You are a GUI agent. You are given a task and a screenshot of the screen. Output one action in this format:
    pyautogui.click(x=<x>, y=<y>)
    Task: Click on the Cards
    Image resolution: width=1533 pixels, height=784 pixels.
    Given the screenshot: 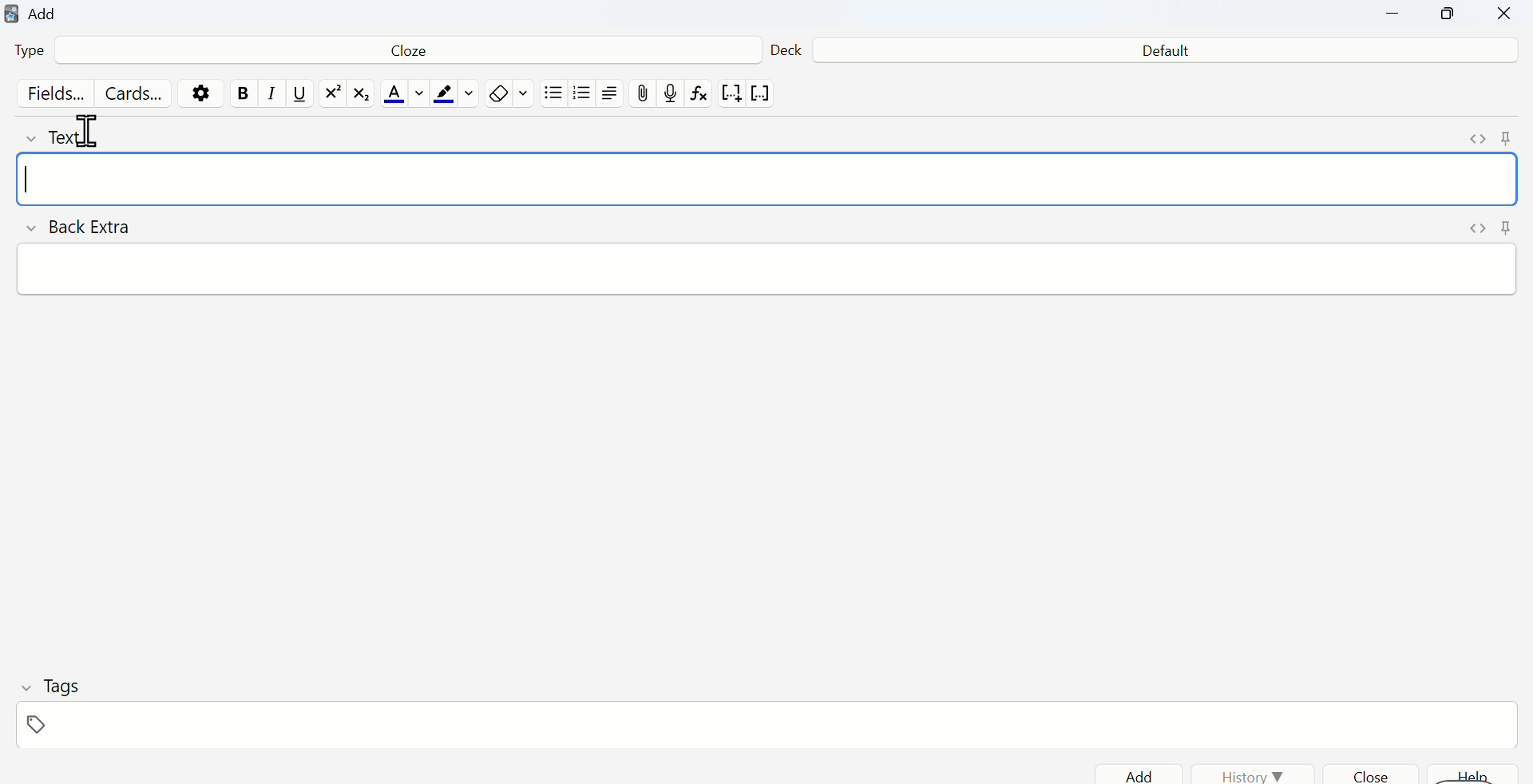 What is the action you would take?
    pyautogui.click(x=140, y=93)
    